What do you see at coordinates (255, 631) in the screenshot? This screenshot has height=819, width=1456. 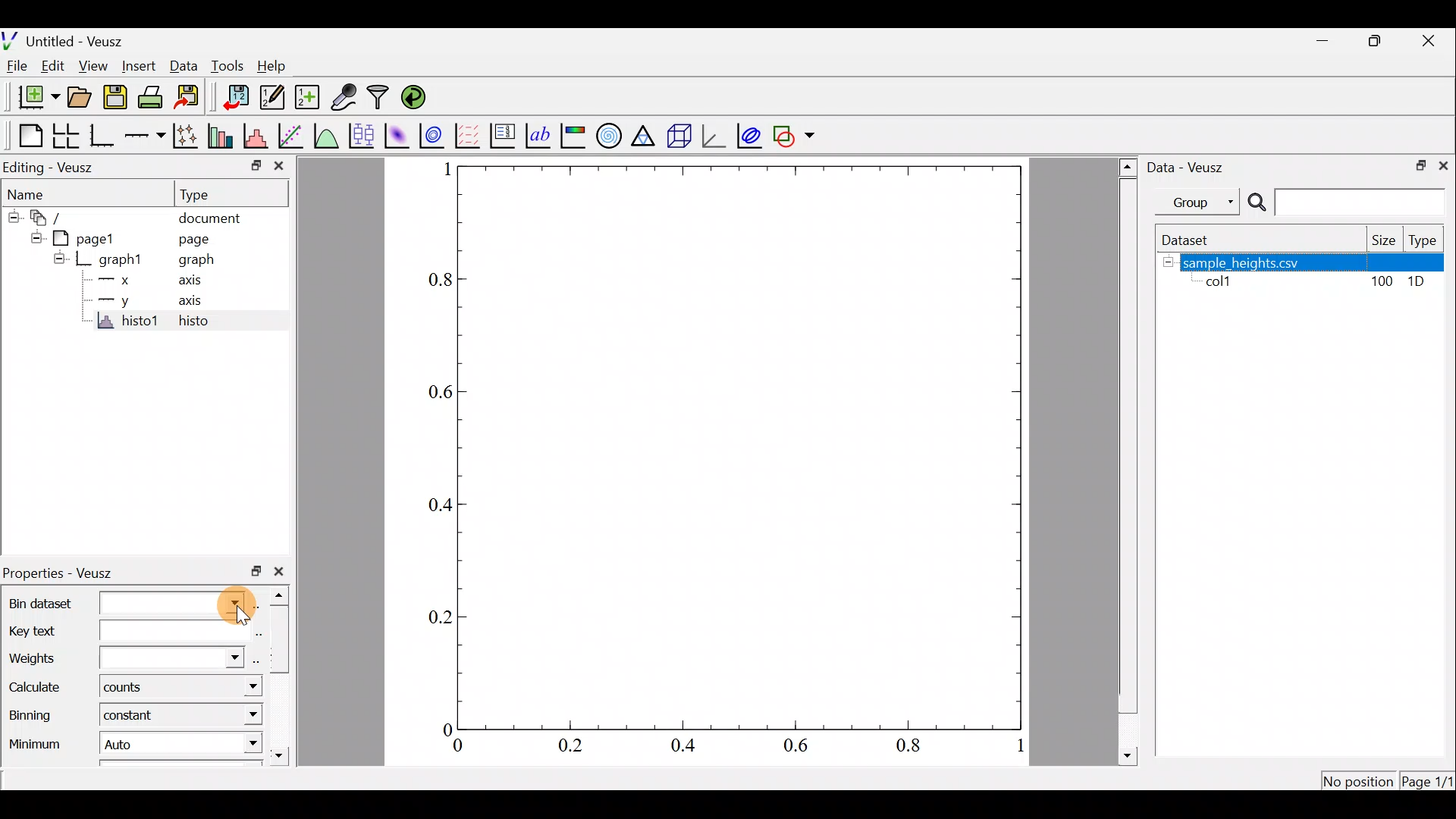 I see `select using dataset browser` at bounding box center [255, 631].